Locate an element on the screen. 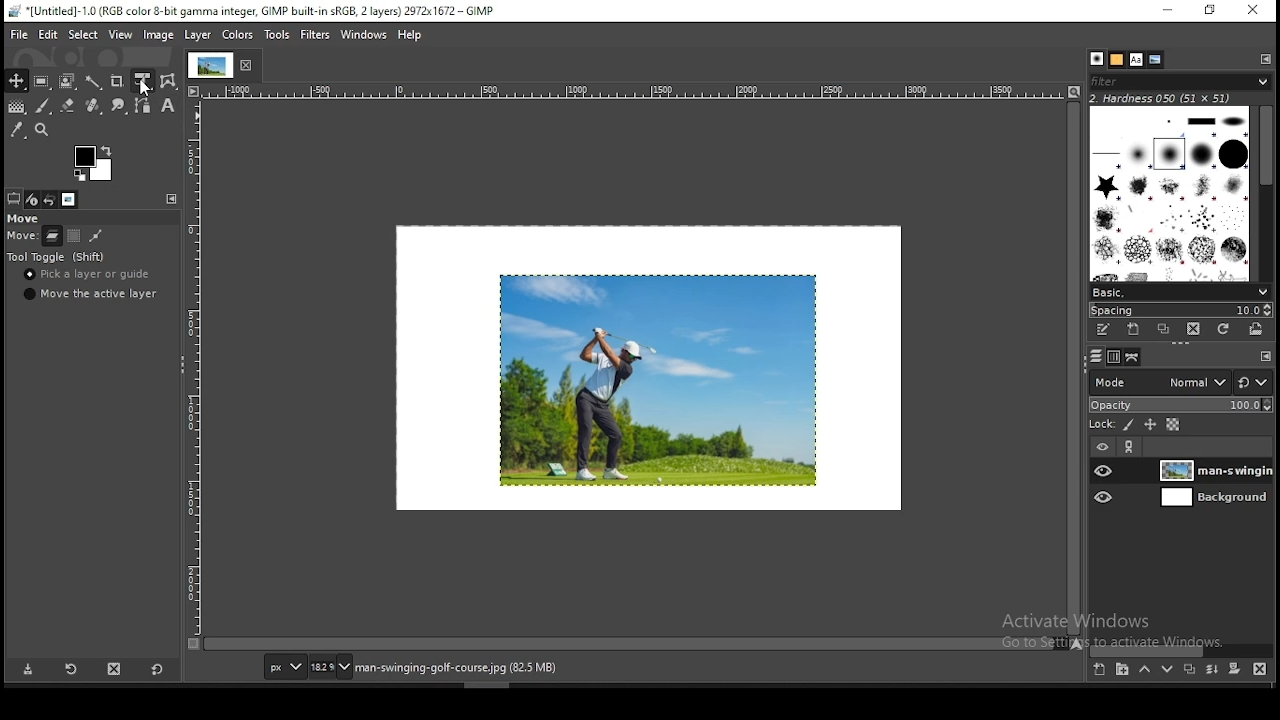 Image resolution: width=1280 pixels, height=720 pixels. wrap transform is located at coordinates (170, 80).